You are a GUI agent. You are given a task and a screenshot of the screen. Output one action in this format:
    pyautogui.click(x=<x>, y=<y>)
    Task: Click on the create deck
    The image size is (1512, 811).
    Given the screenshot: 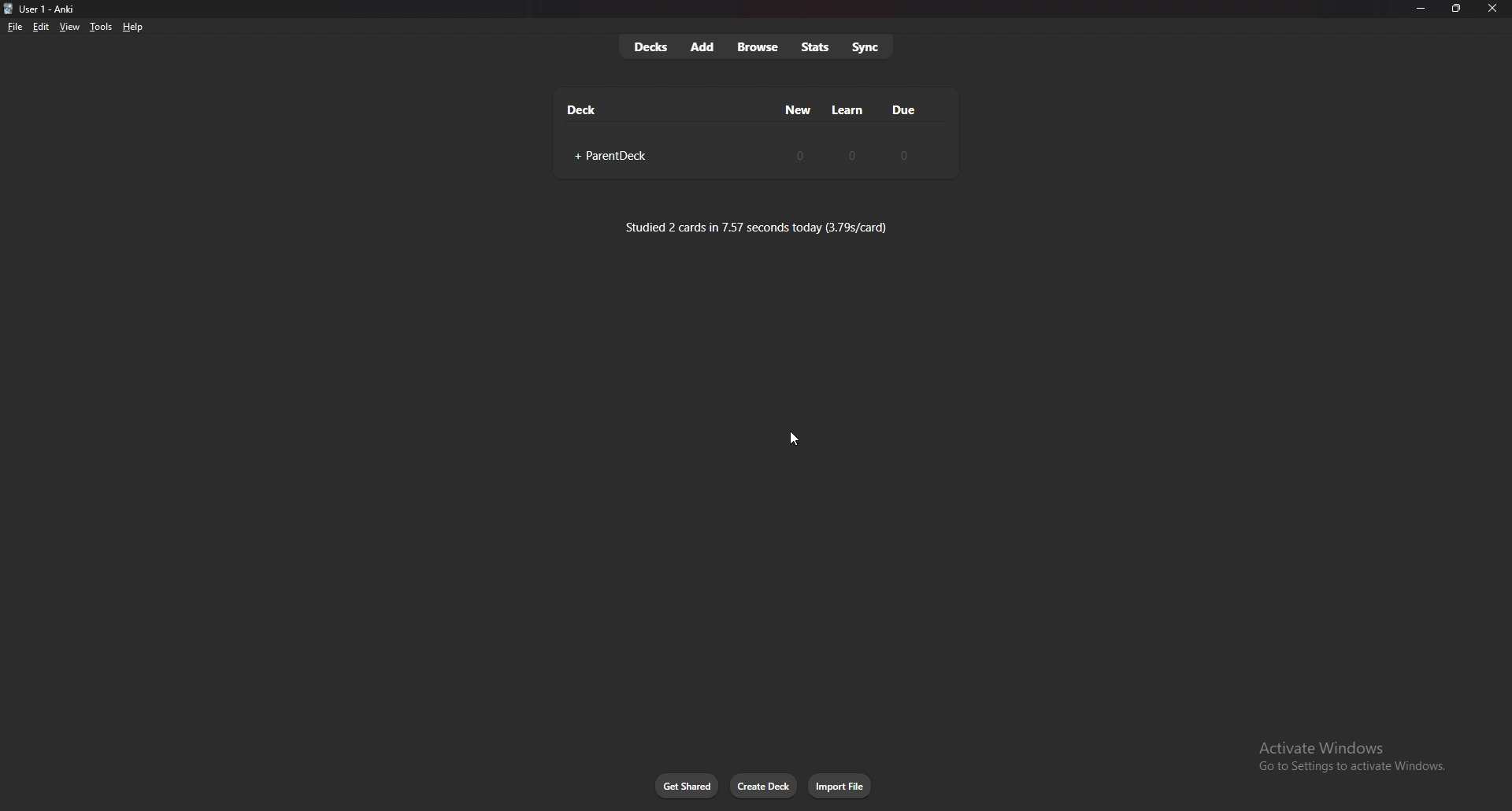 What is the action you would take?
    pyautogui.click(x=764, y=786)
    